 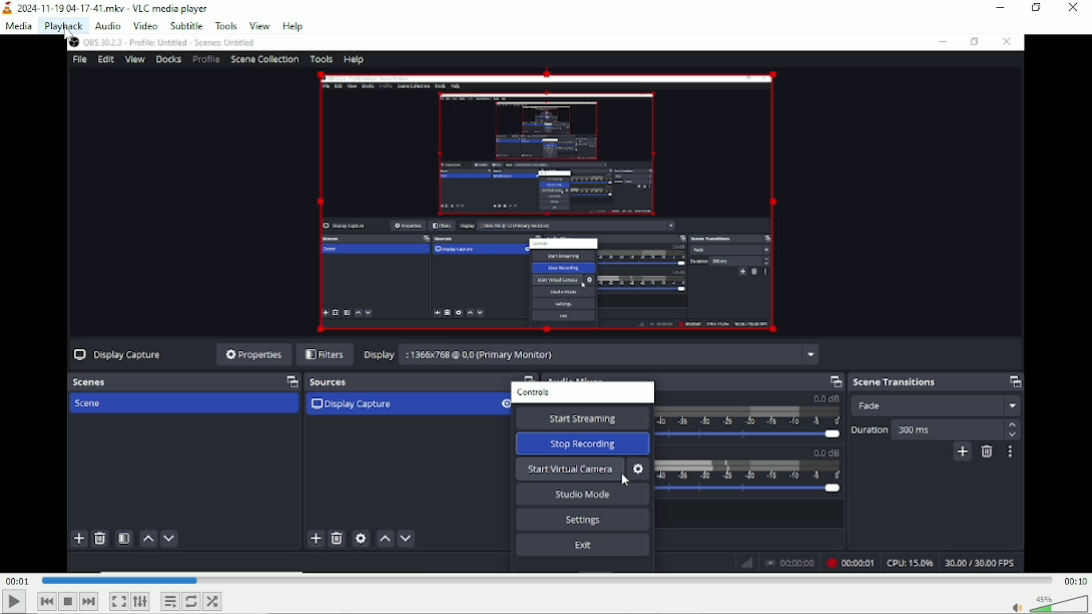 What do you see at coordinates (1001, 8) in the screenshot?
I see `Minimize` at bounding box center [1001, 8].